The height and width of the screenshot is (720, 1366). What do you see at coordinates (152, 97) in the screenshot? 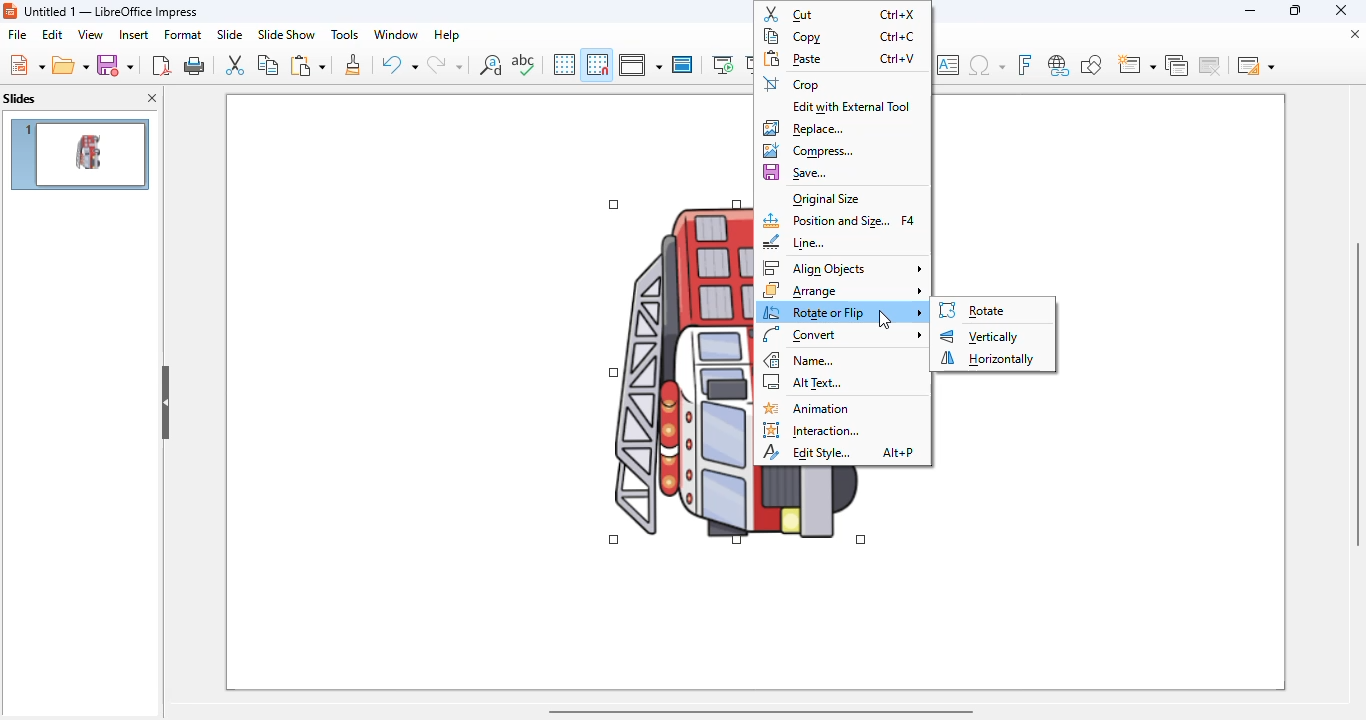
I see `close pane` at bounding box center [152, 97].